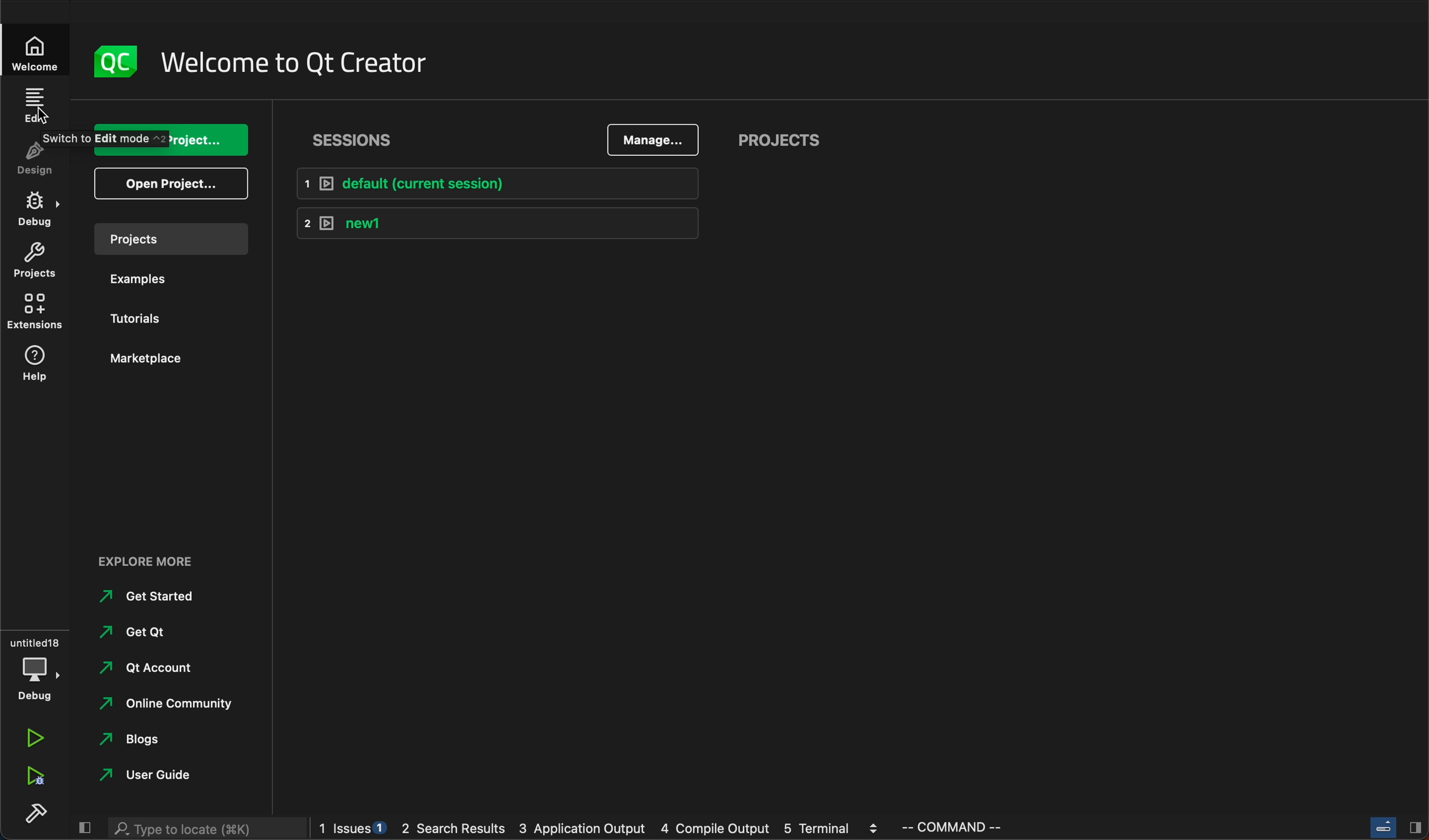  I want to click on tutorials, so click(130, 319).